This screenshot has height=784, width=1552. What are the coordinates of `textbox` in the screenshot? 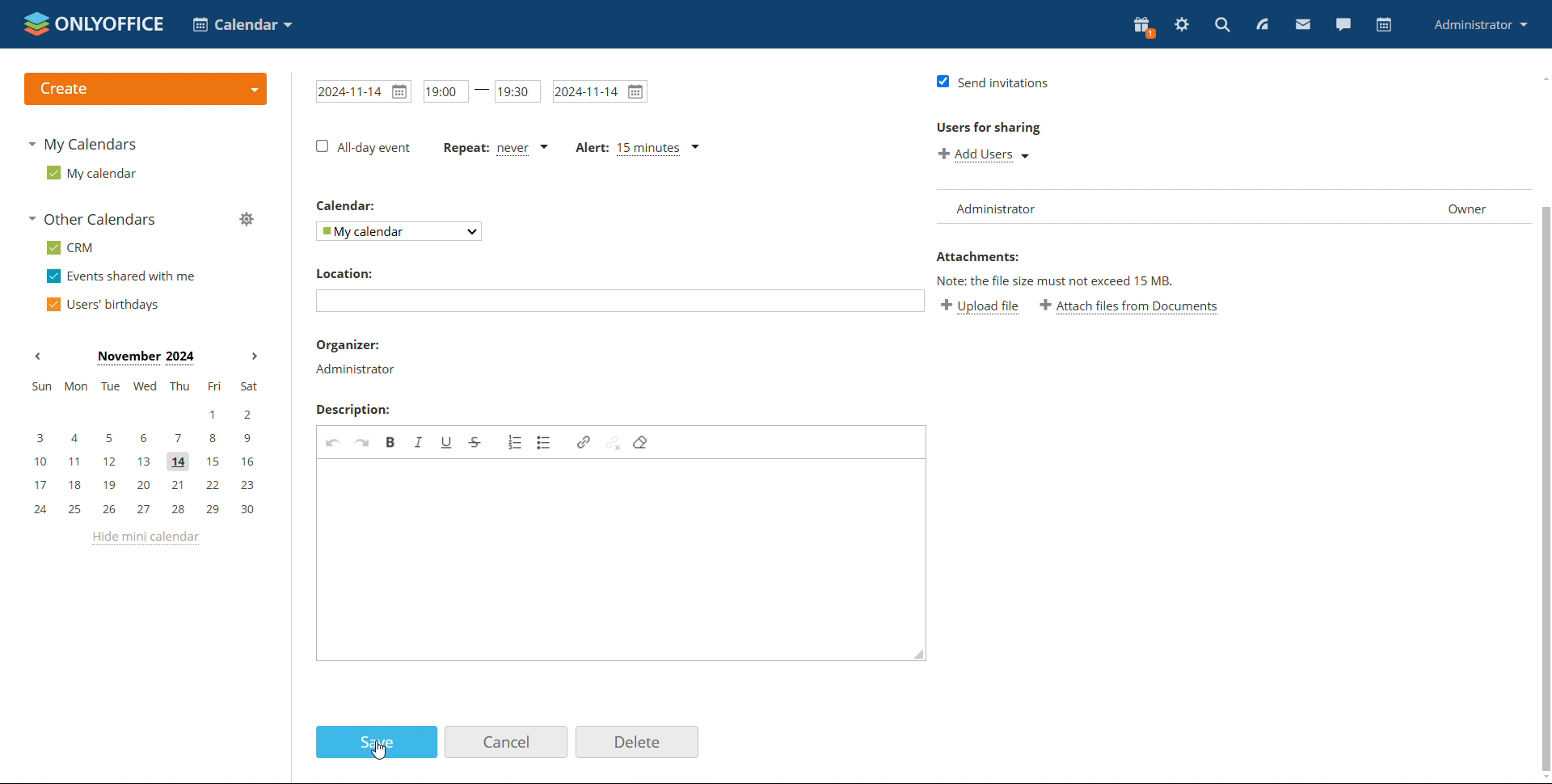 It's located at (621, 558).